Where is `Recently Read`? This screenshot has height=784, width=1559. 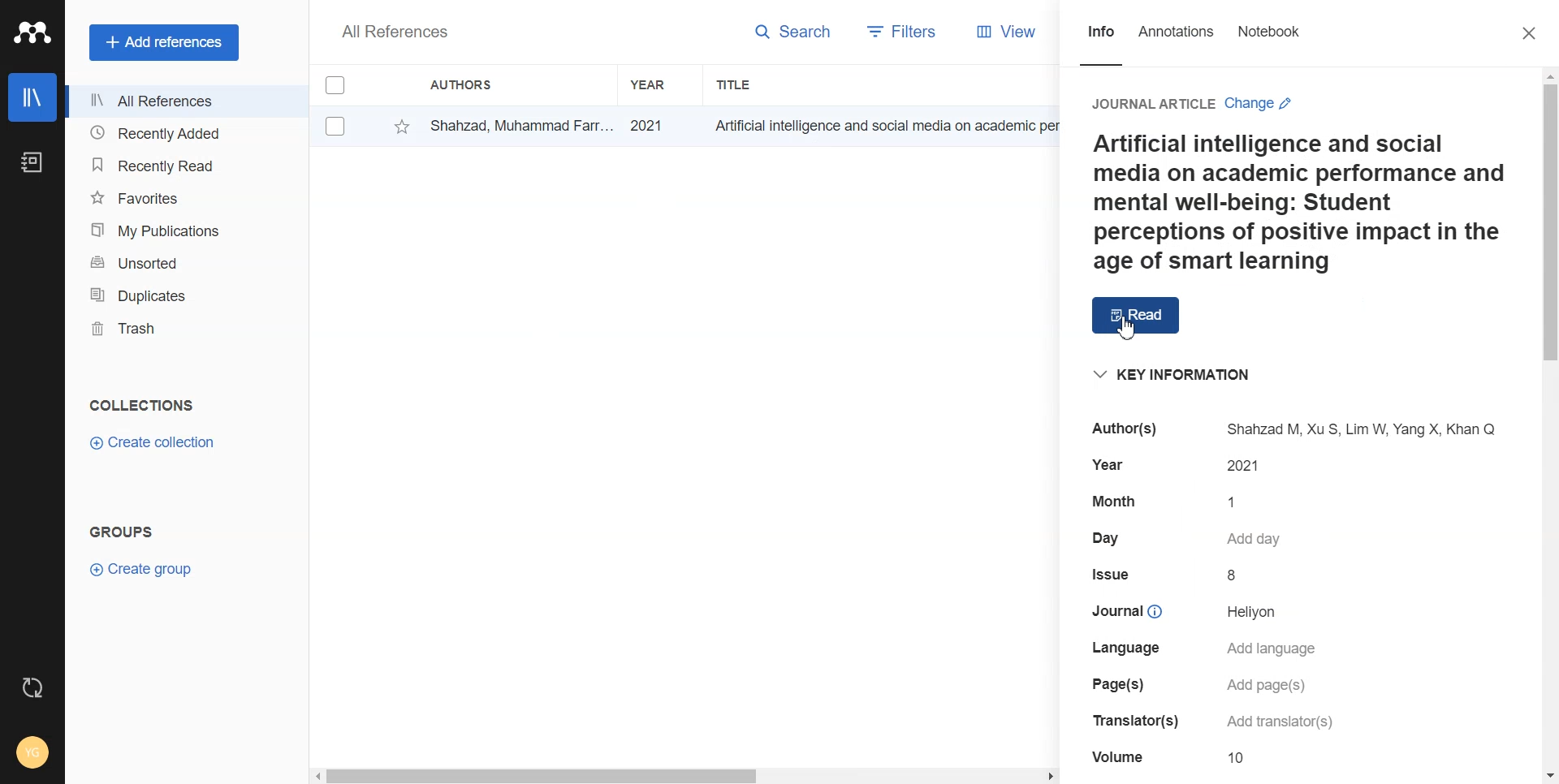
Recently Read is located at coordinates (183, 165).